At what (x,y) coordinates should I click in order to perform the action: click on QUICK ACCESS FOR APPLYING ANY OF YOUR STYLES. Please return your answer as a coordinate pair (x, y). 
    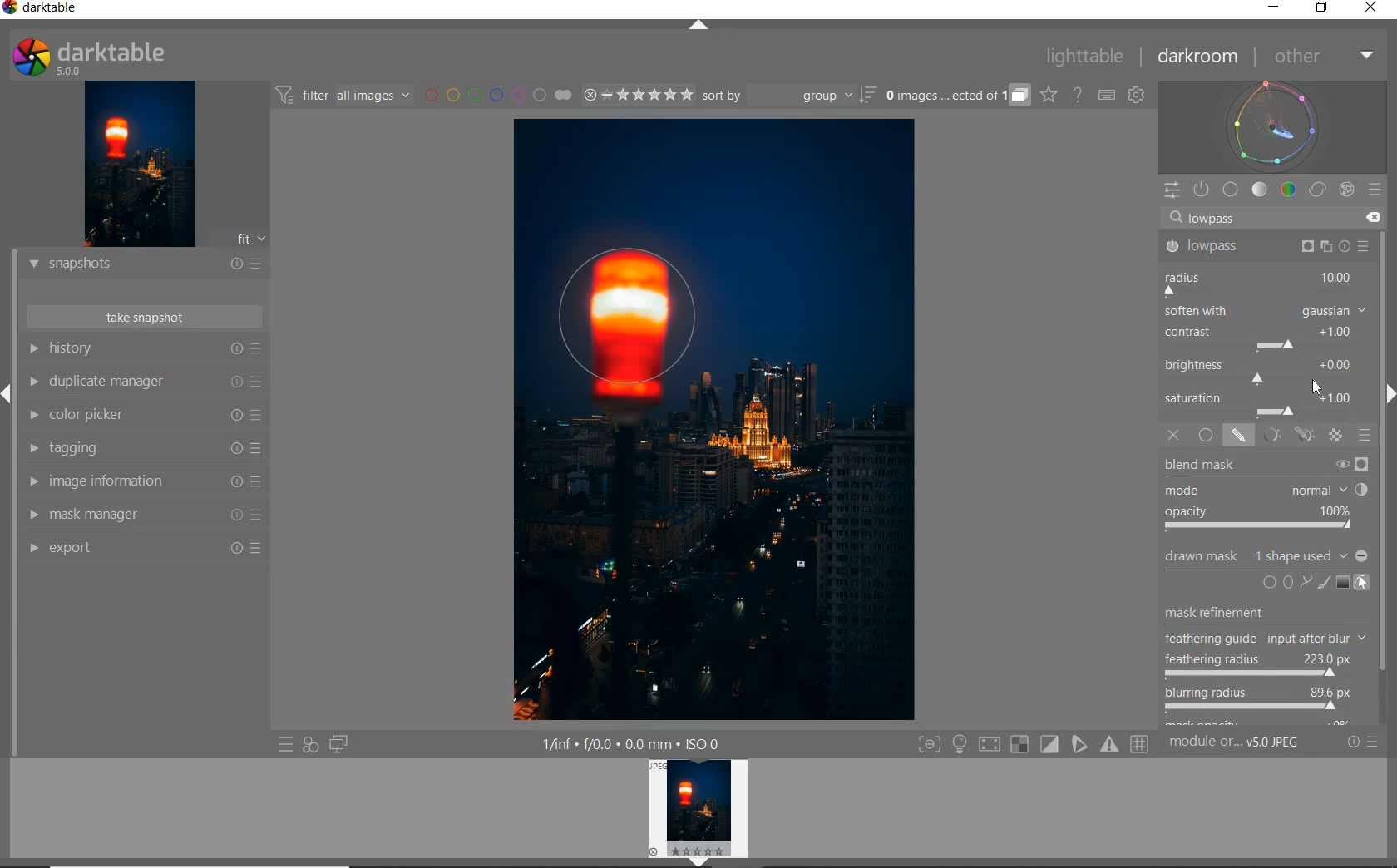
    Looking at the image, I should click on (309, 745).